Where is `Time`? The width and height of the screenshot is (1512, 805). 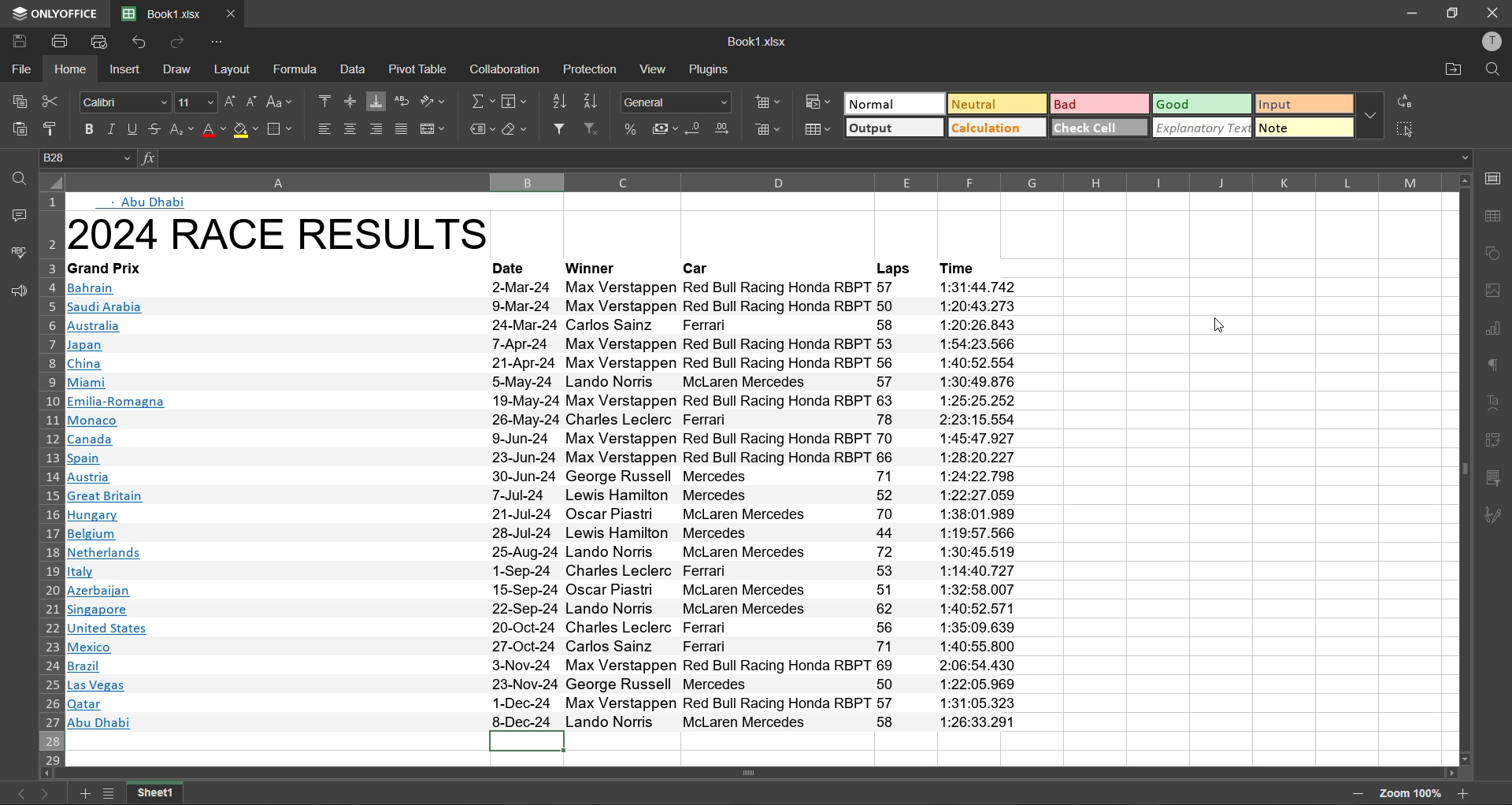 Time is located at coordinates (964, 269).